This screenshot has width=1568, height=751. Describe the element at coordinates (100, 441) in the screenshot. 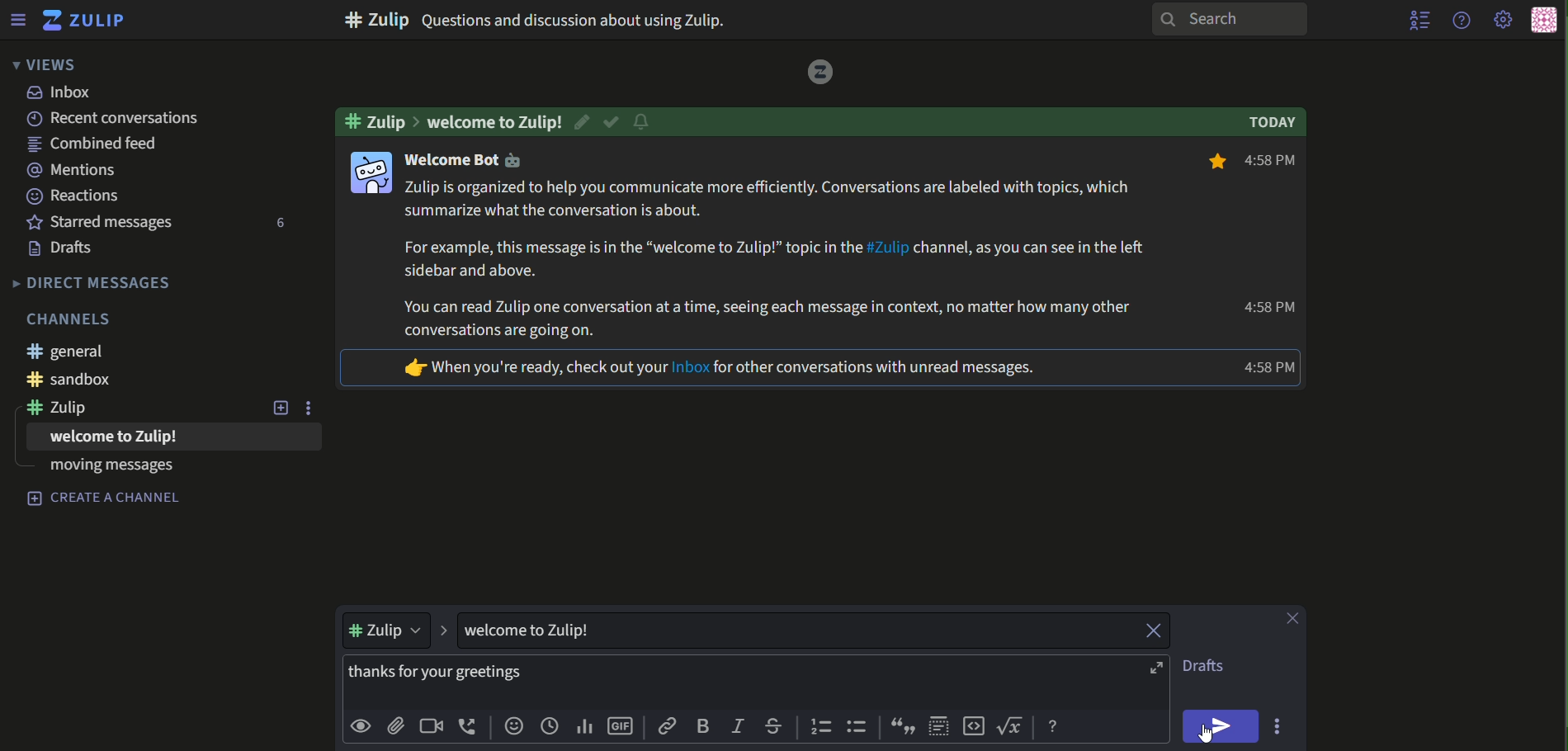

I see `text` at that location.